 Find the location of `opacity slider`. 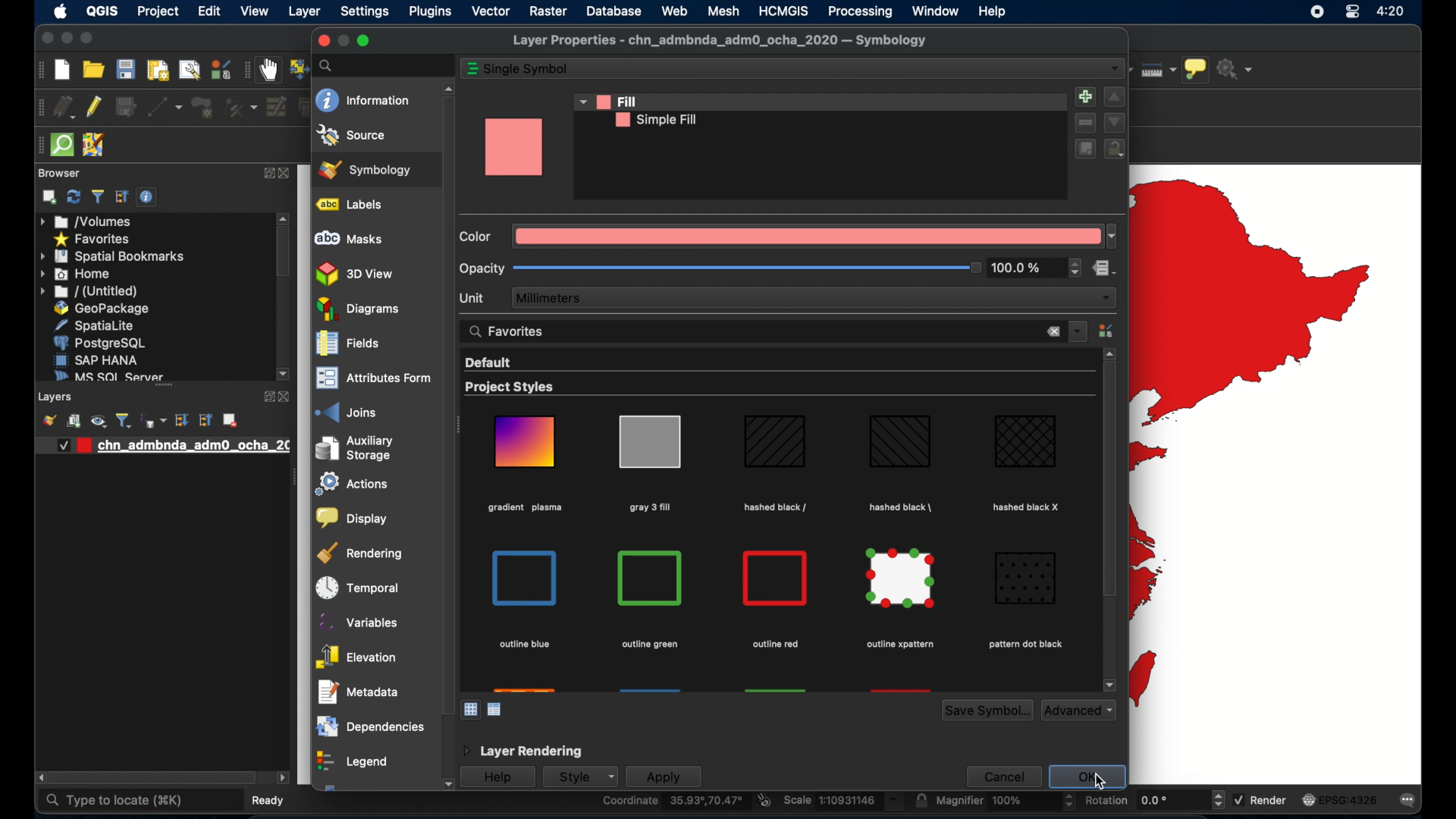

opacity slider is located at coordinates (746, 269).